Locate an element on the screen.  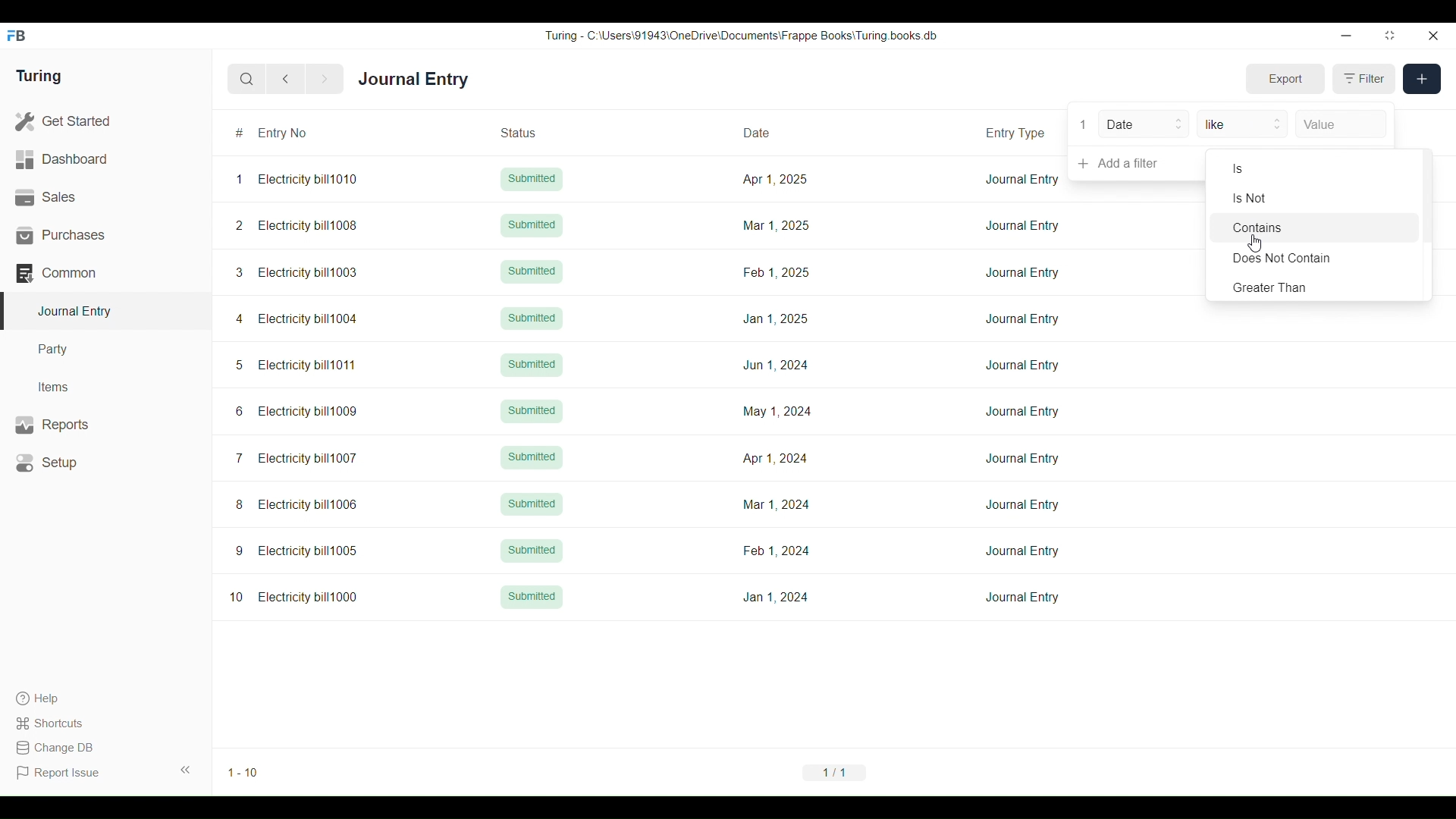
Journal Entry is located at coordinates (1022, 551).